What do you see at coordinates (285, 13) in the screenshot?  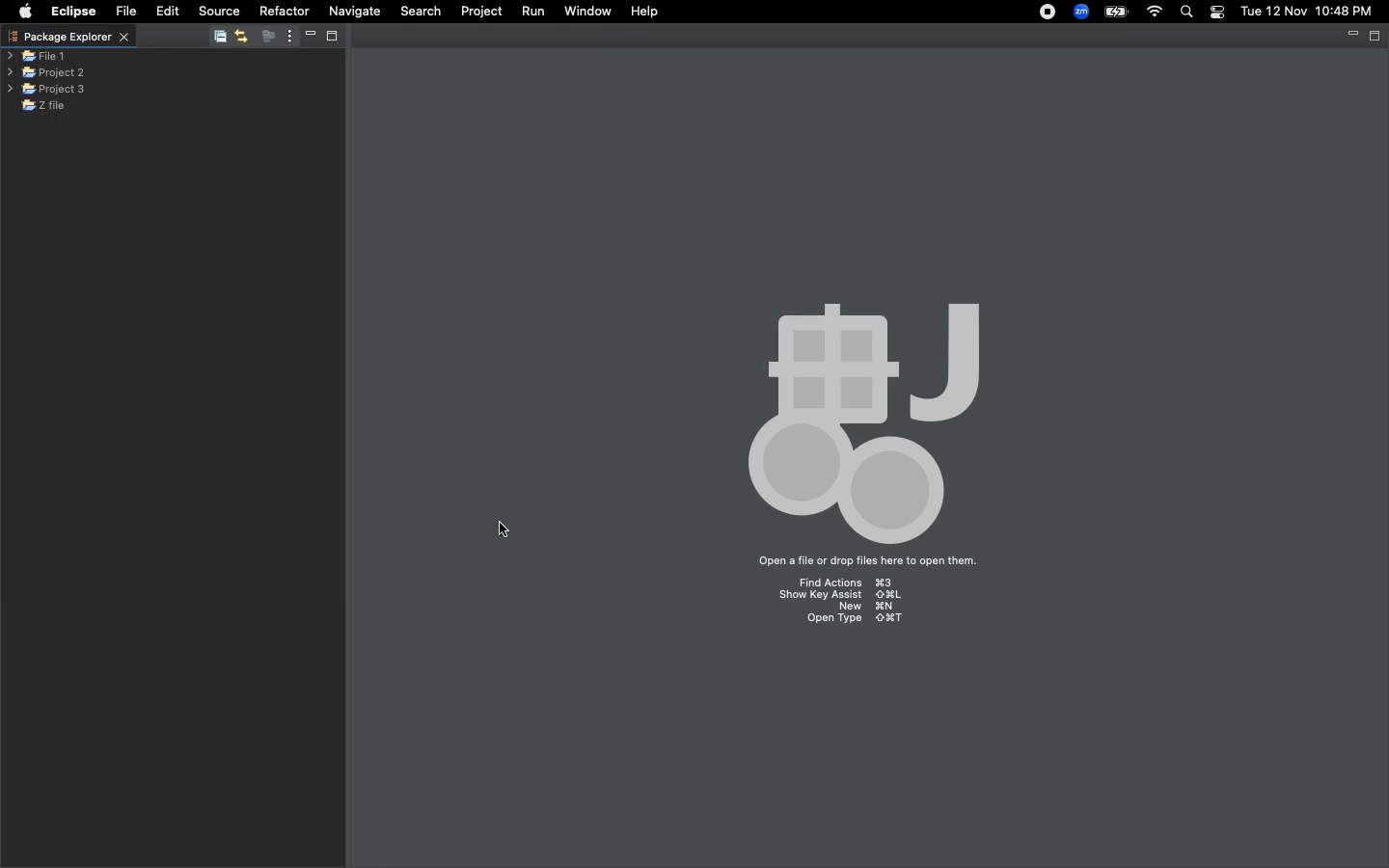 I see `Refractor` at bounding box center [285, 13].